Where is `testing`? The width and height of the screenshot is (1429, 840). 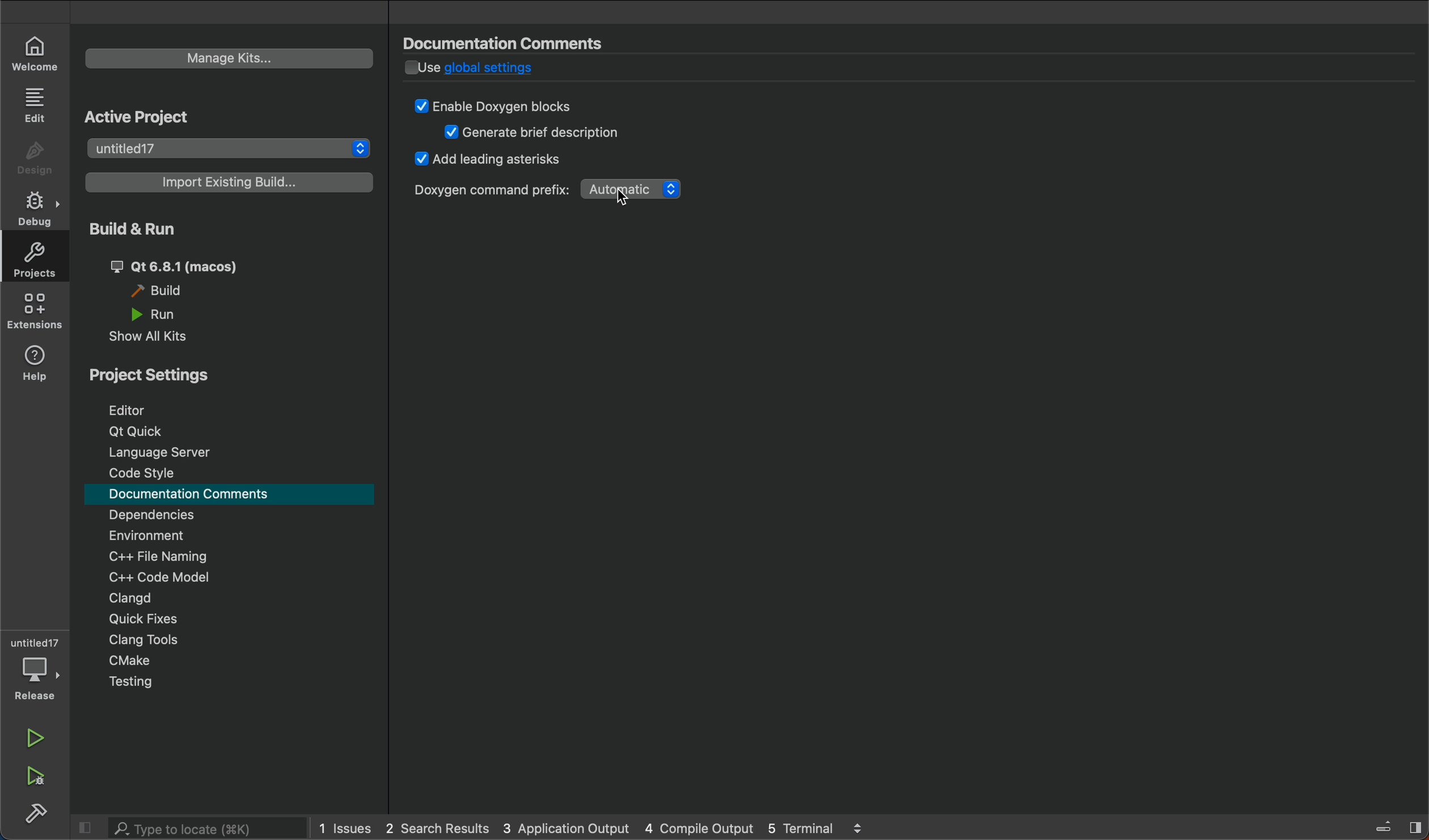 testing is located at coordinates (132, 682).